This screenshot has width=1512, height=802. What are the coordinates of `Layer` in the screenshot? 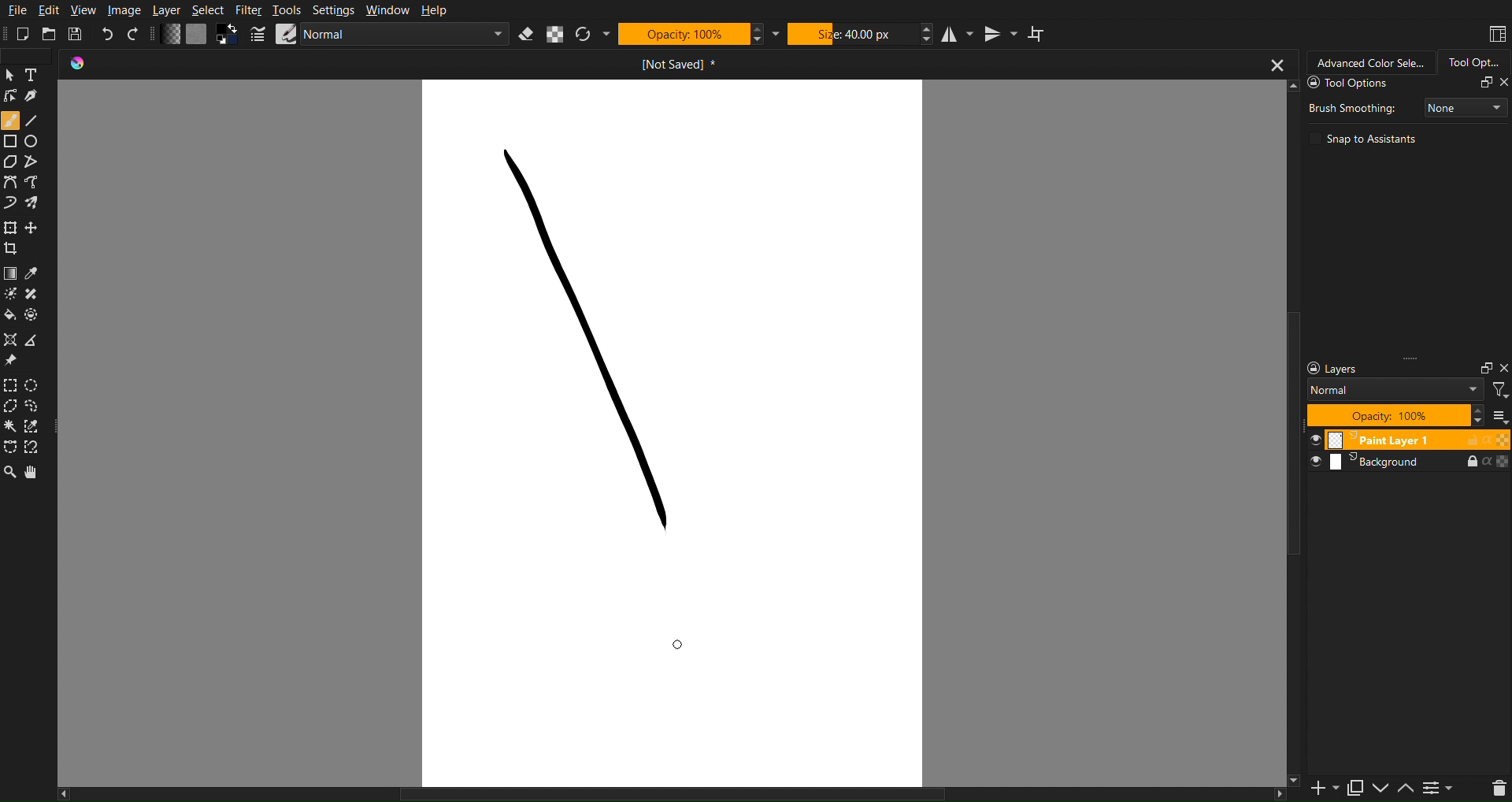 It's located at (167, 9).